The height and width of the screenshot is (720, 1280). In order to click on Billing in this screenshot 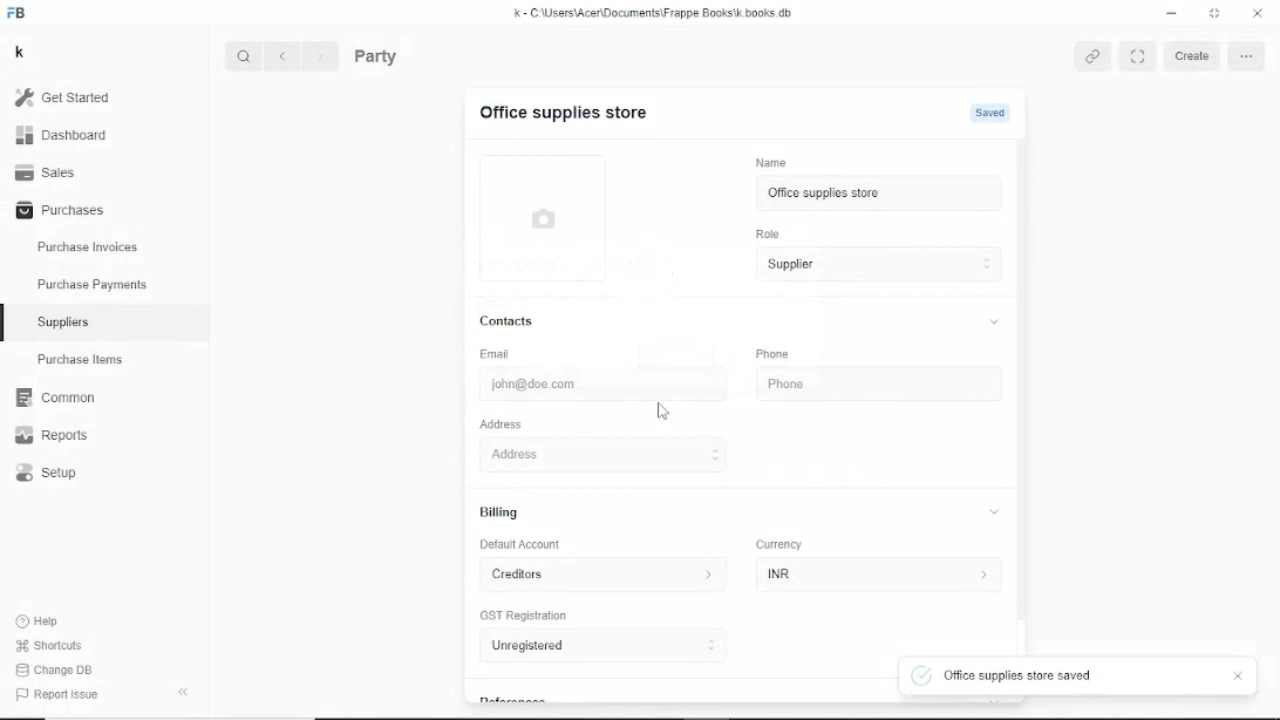, I will do `click(741, 512)`.